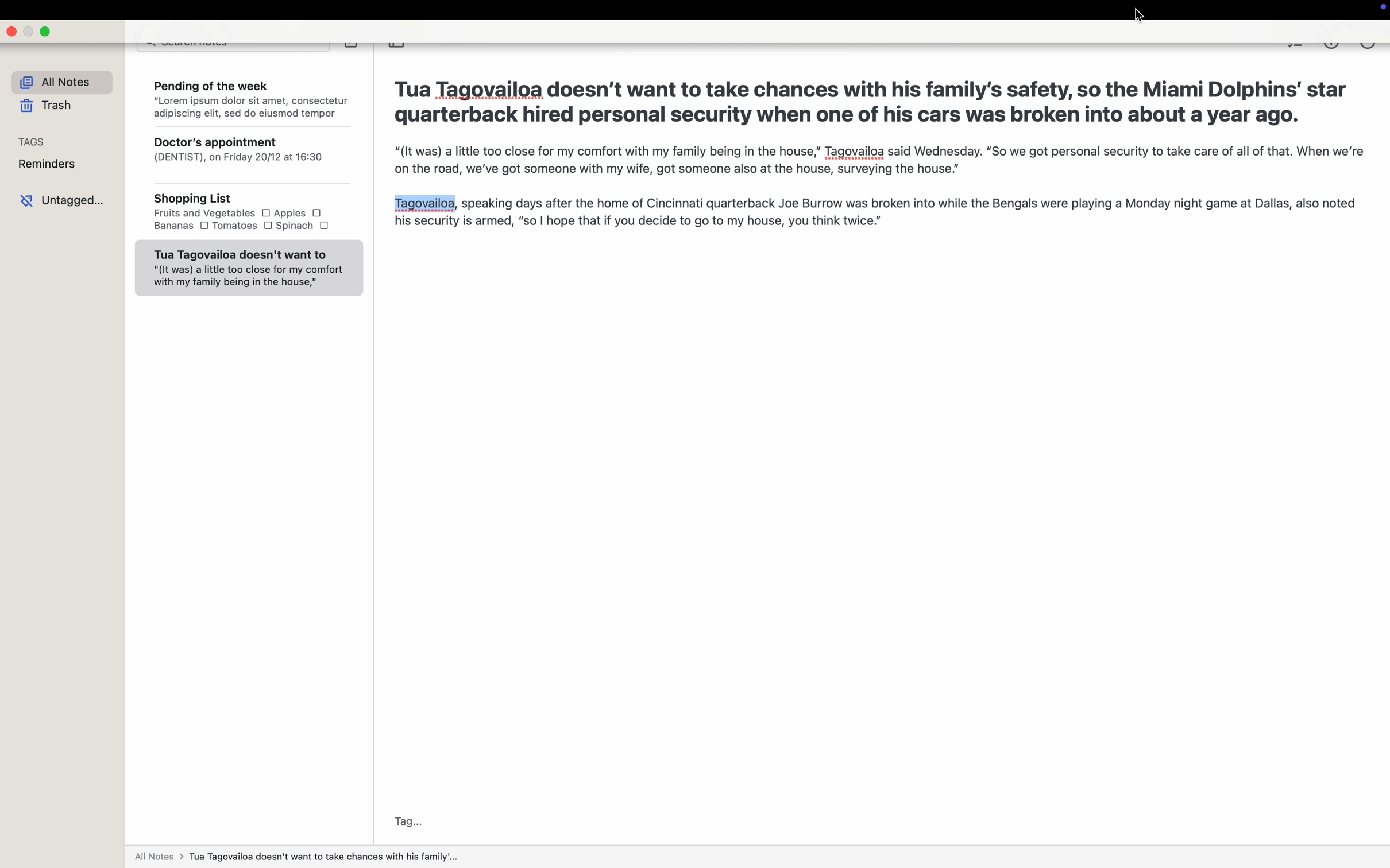 The image size is (1390, 868). I want to click on screen controls, so click(1380, 9).